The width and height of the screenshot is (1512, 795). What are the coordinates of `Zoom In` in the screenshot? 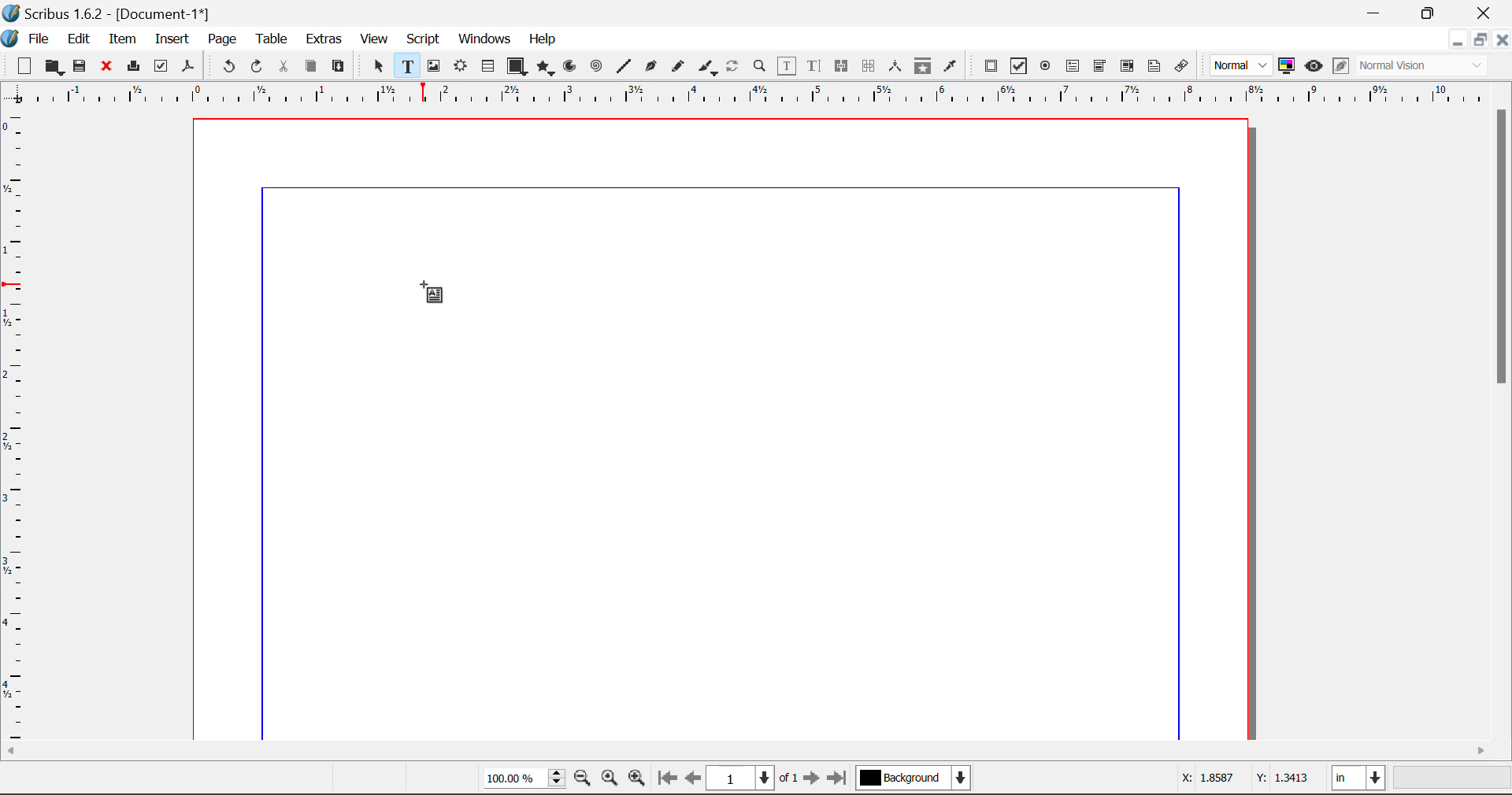 It's located at (637, 780).